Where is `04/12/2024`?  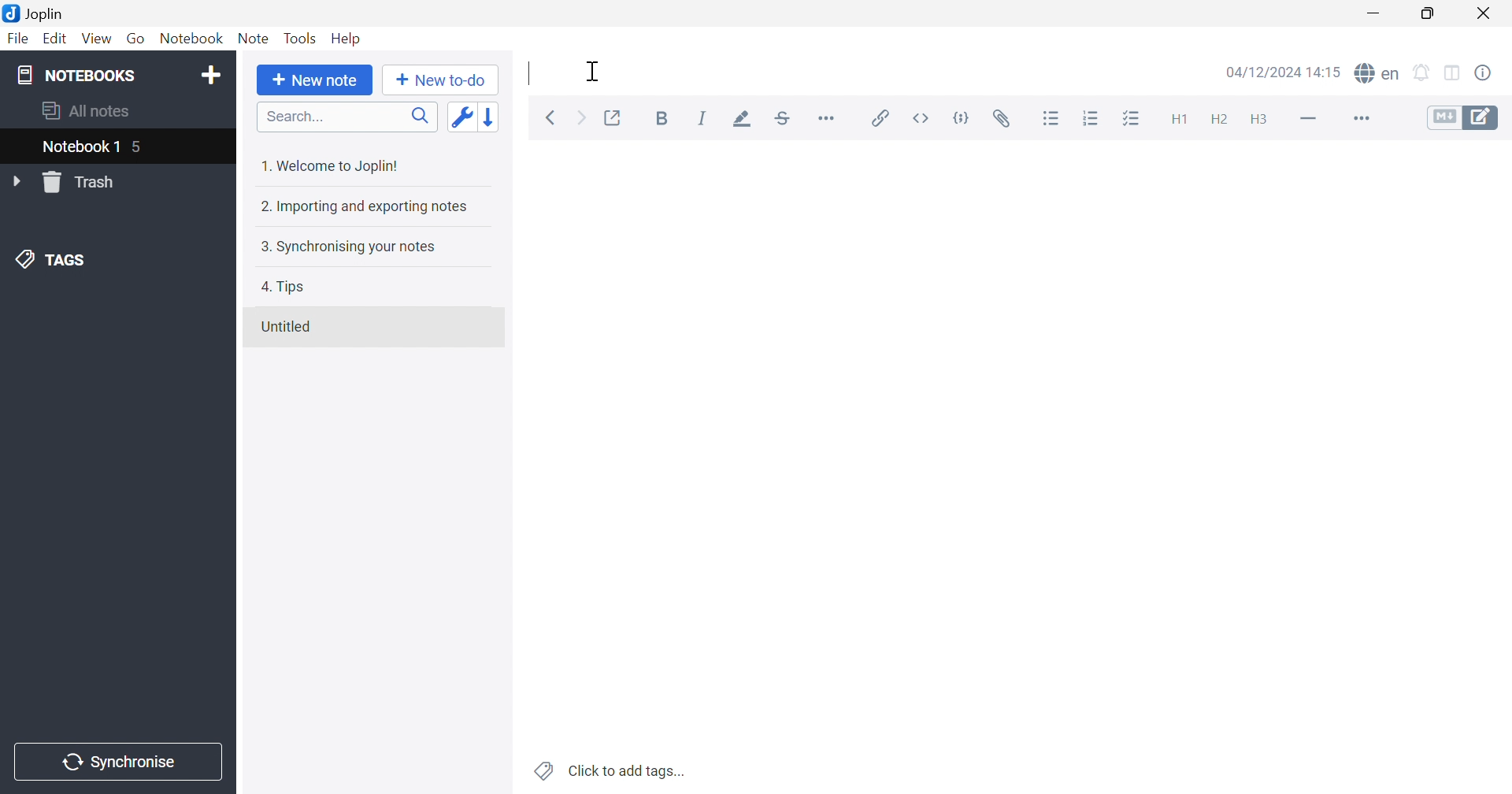 04/12/2024 is located at coordinates (1265, 74).